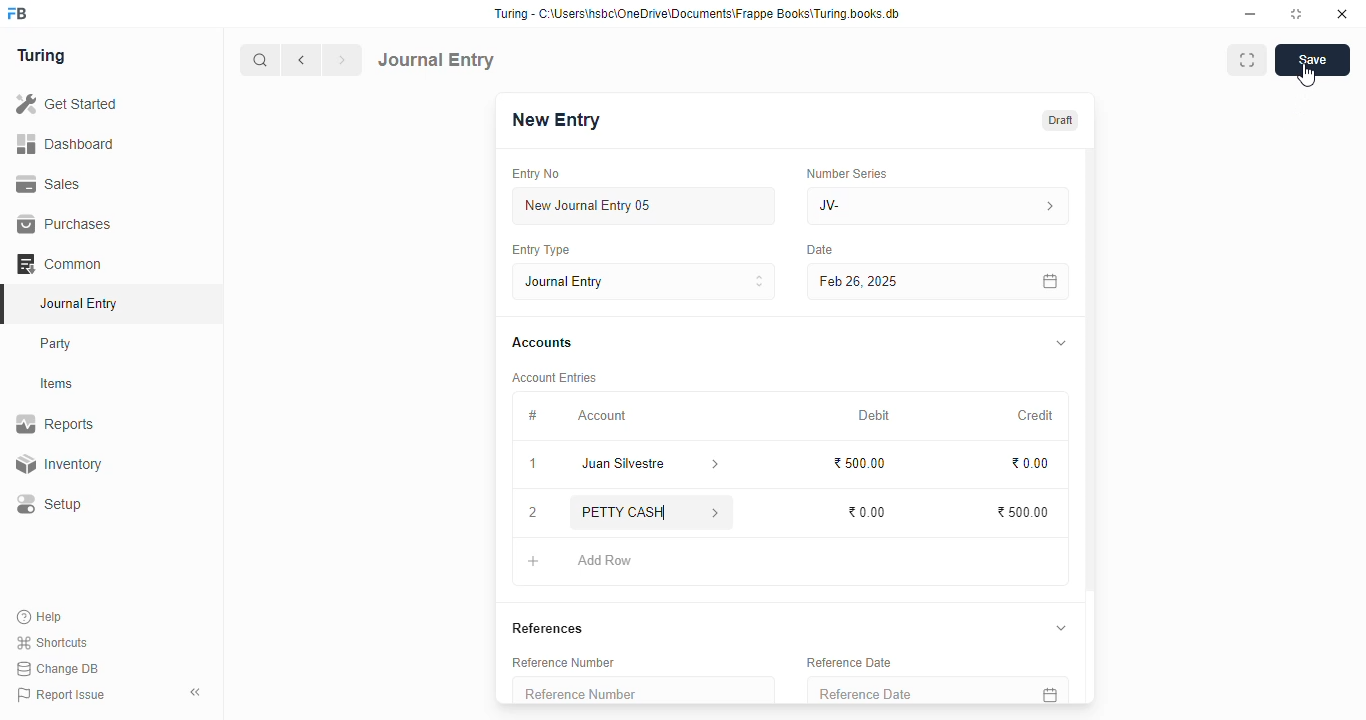 The image size is (1366, 720). I want to click on new journal entry 05, so click(645, 207).